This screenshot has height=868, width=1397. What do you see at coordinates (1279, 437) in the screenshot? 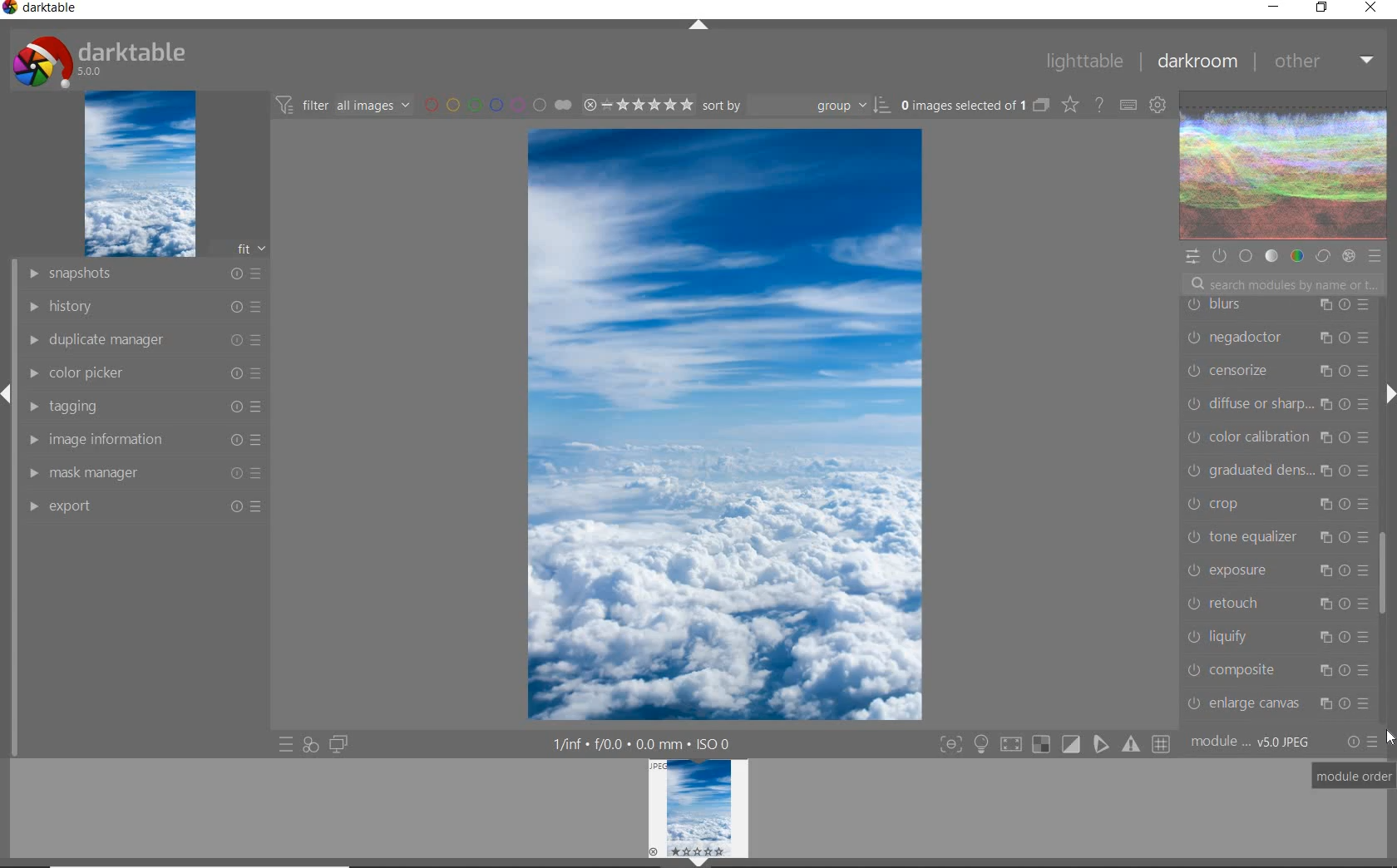
I see `color calibration` at bounding box center [1279, 437].